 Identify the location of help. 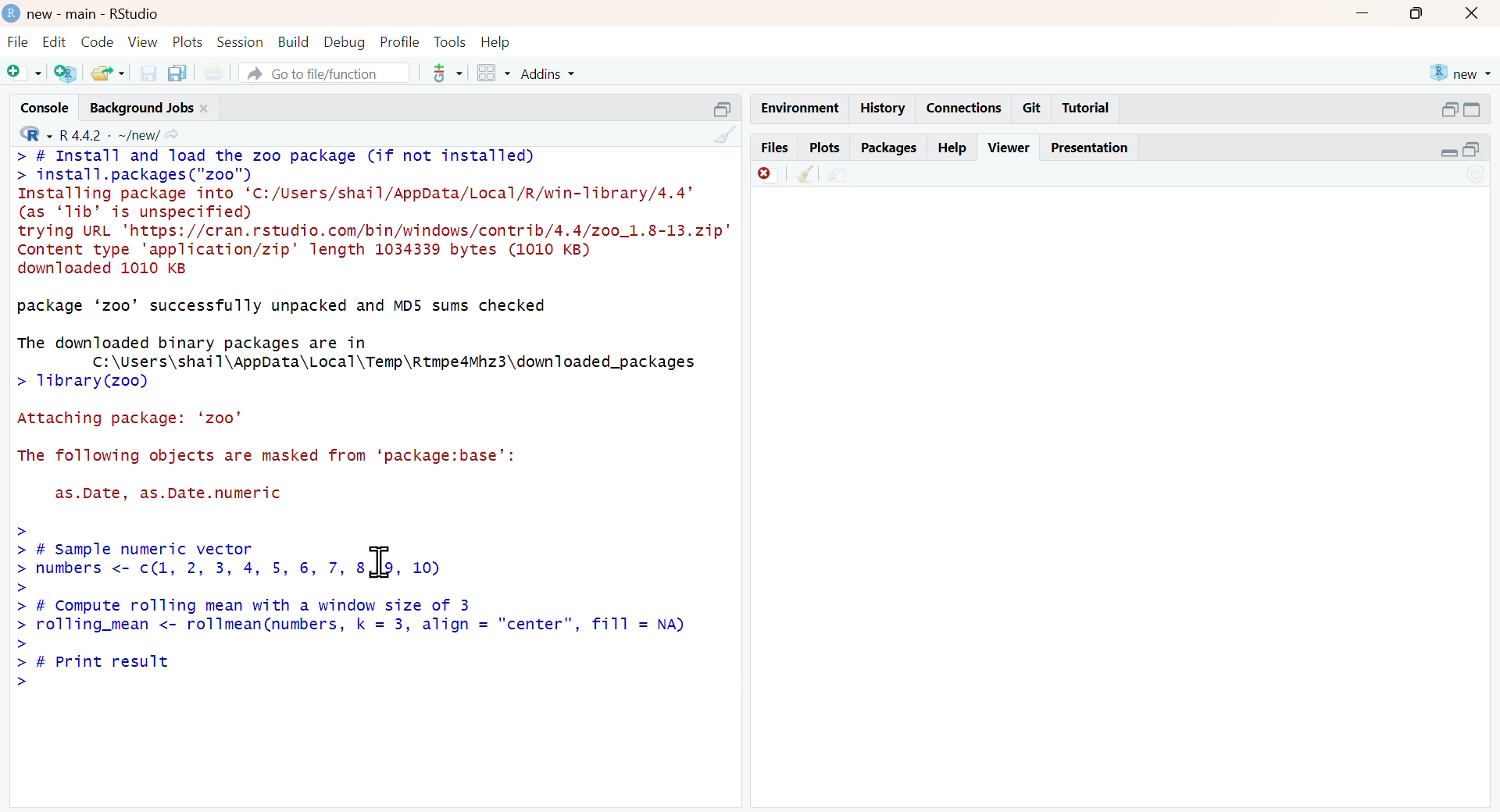
(495, 42).